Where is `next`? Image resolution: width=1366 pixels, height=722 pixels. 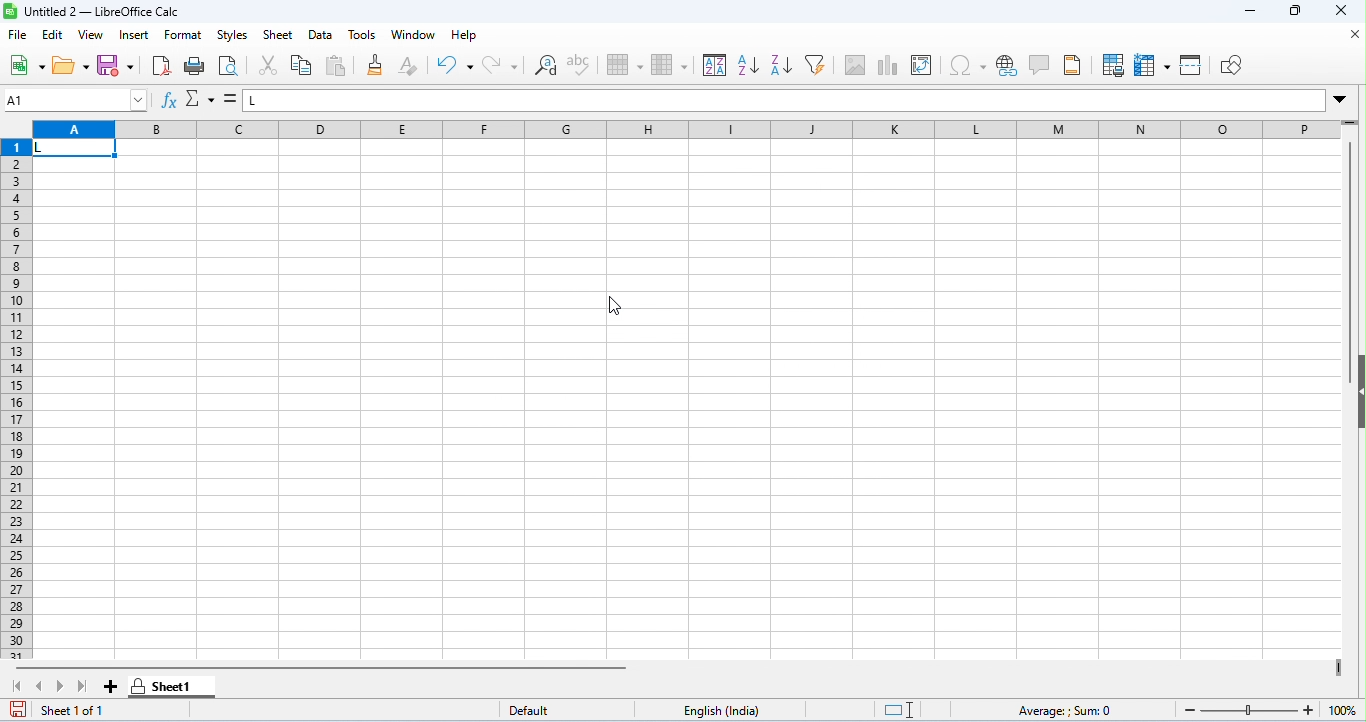 next is located at coordinates (61, 686).